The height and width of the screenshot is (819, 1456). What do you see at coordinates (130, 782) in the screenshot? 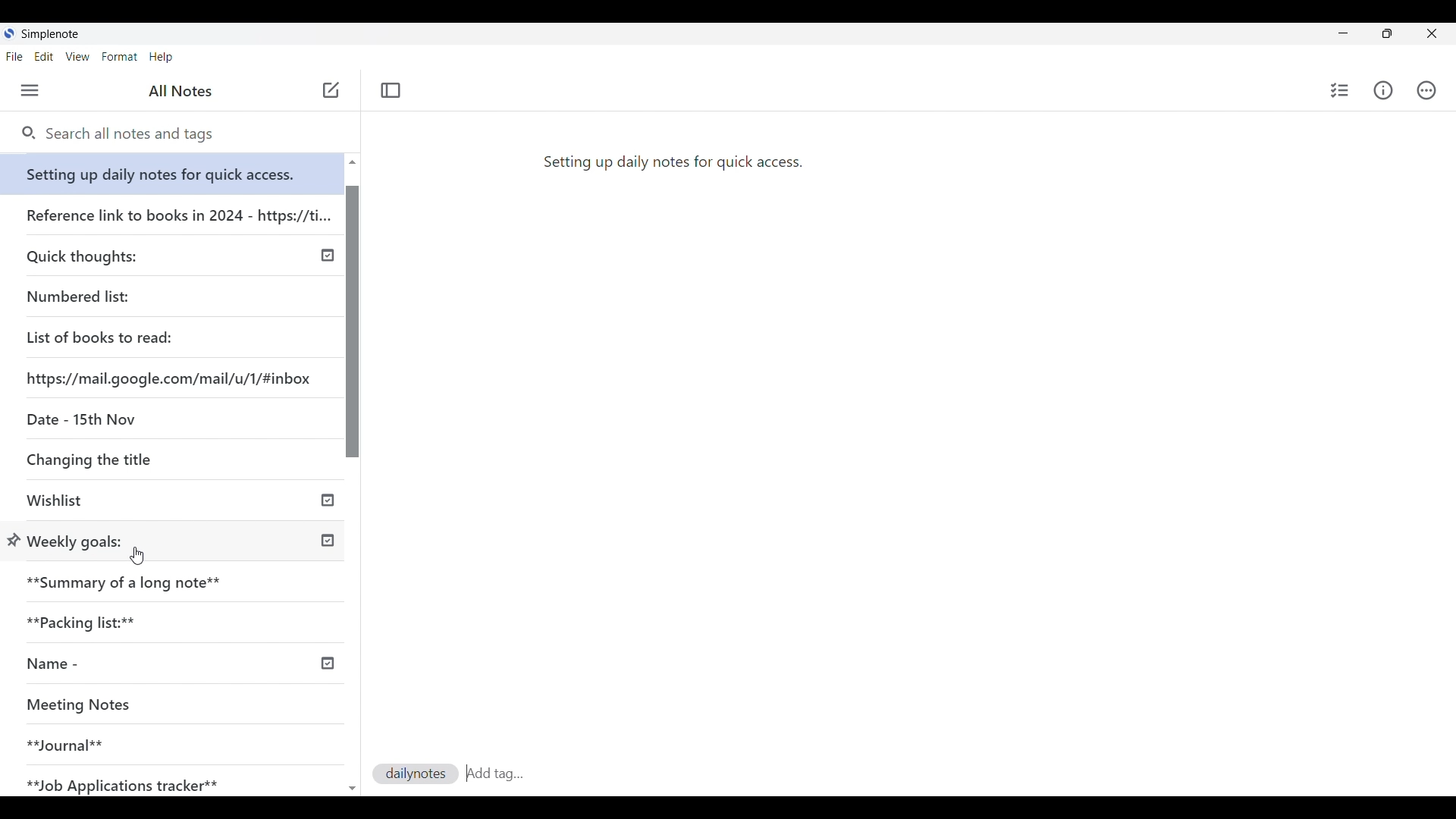
I see `Job Application tracker` at bounding box center [130, 782].